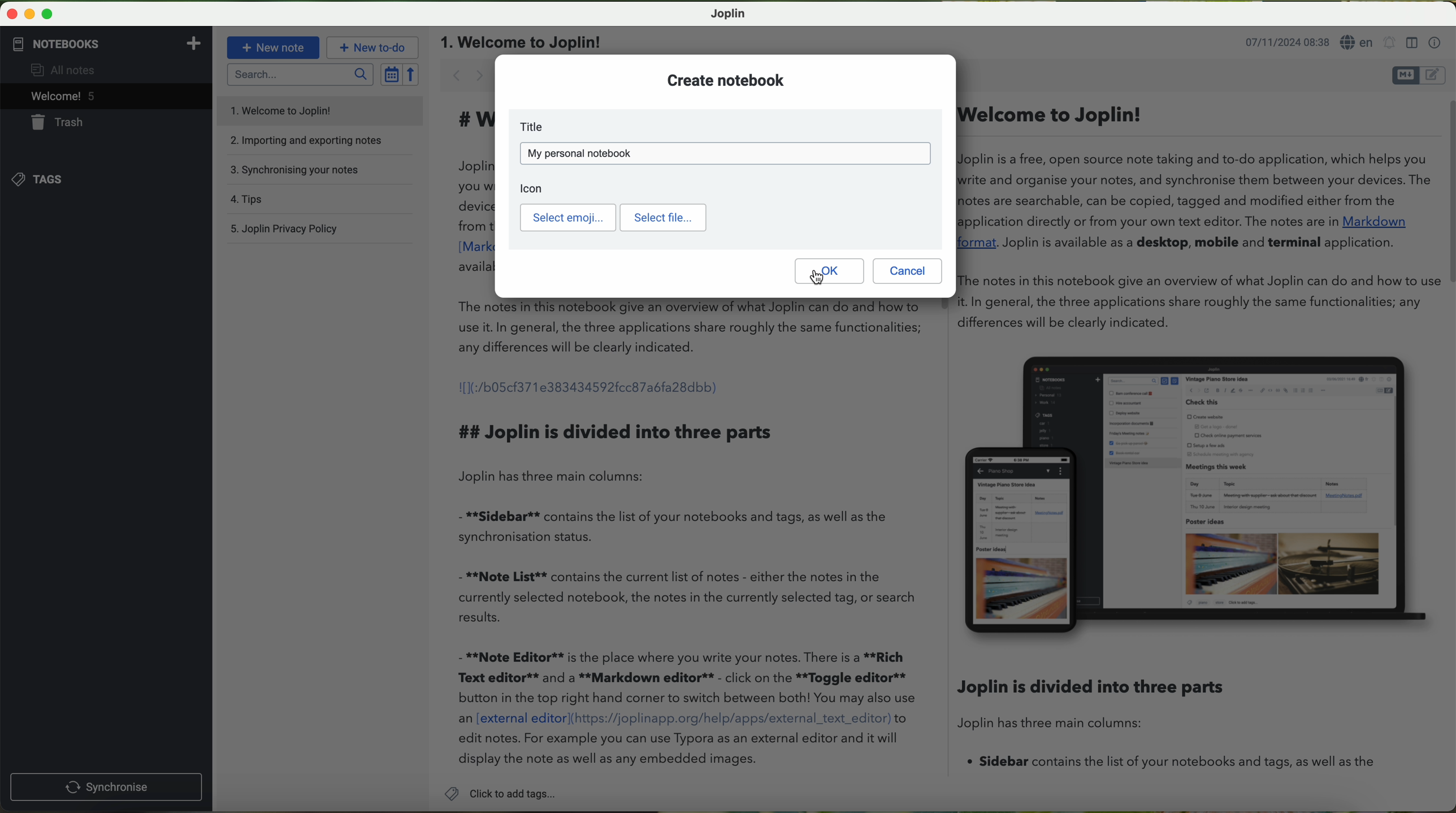 The height and width of the screenshot is (813, 1456). I want to click on Cancel, so click(908, 271).